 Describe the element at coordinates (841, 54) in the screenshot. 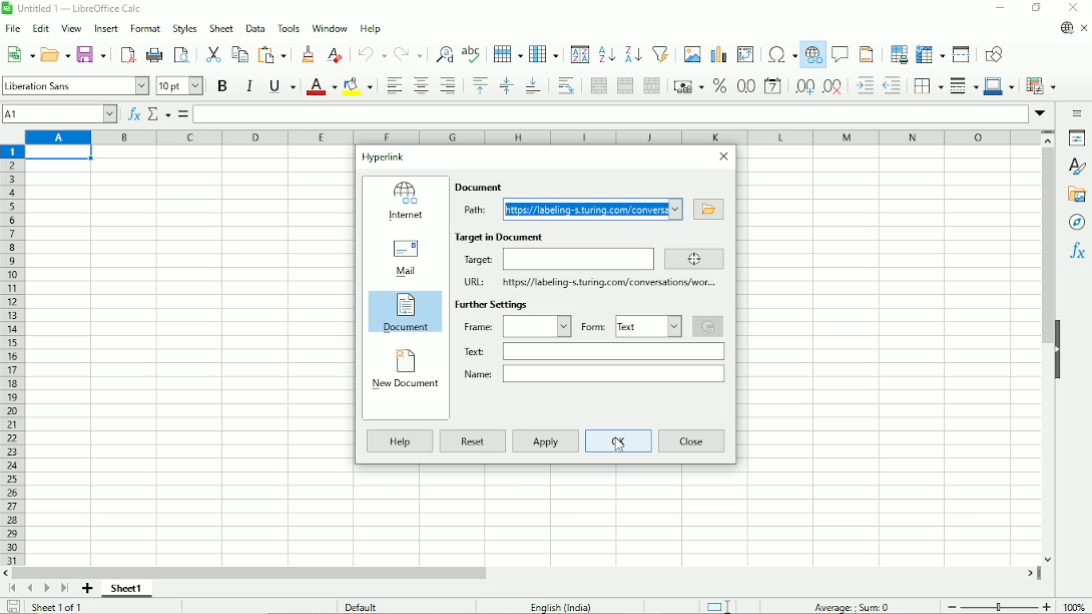

I see `Insert comment` at that location.